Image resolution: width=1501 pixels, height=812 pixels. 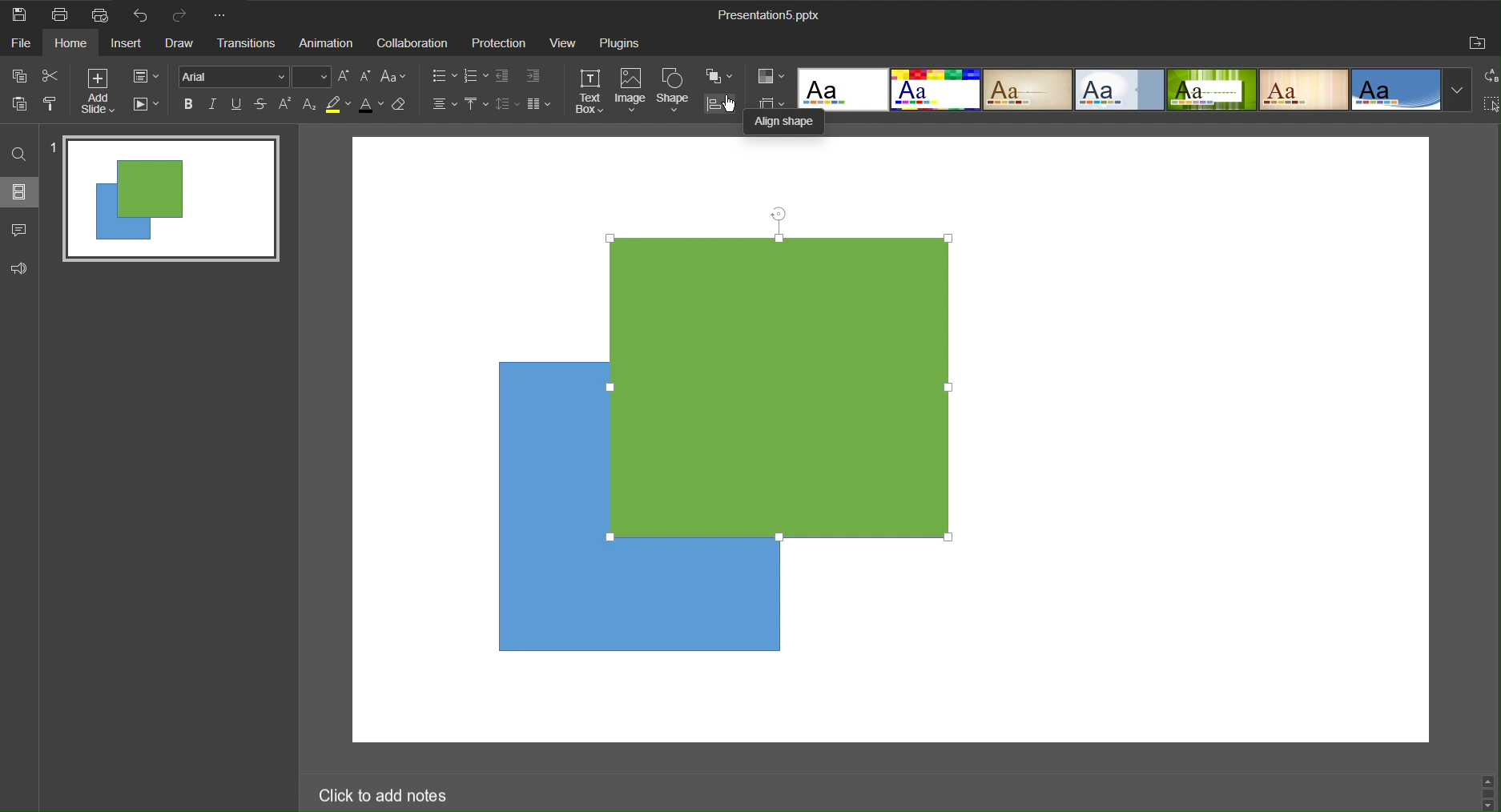 What do you see at coordinates (225, 16) in the screenshot?
I see `More` at bounding box center [225, 16].